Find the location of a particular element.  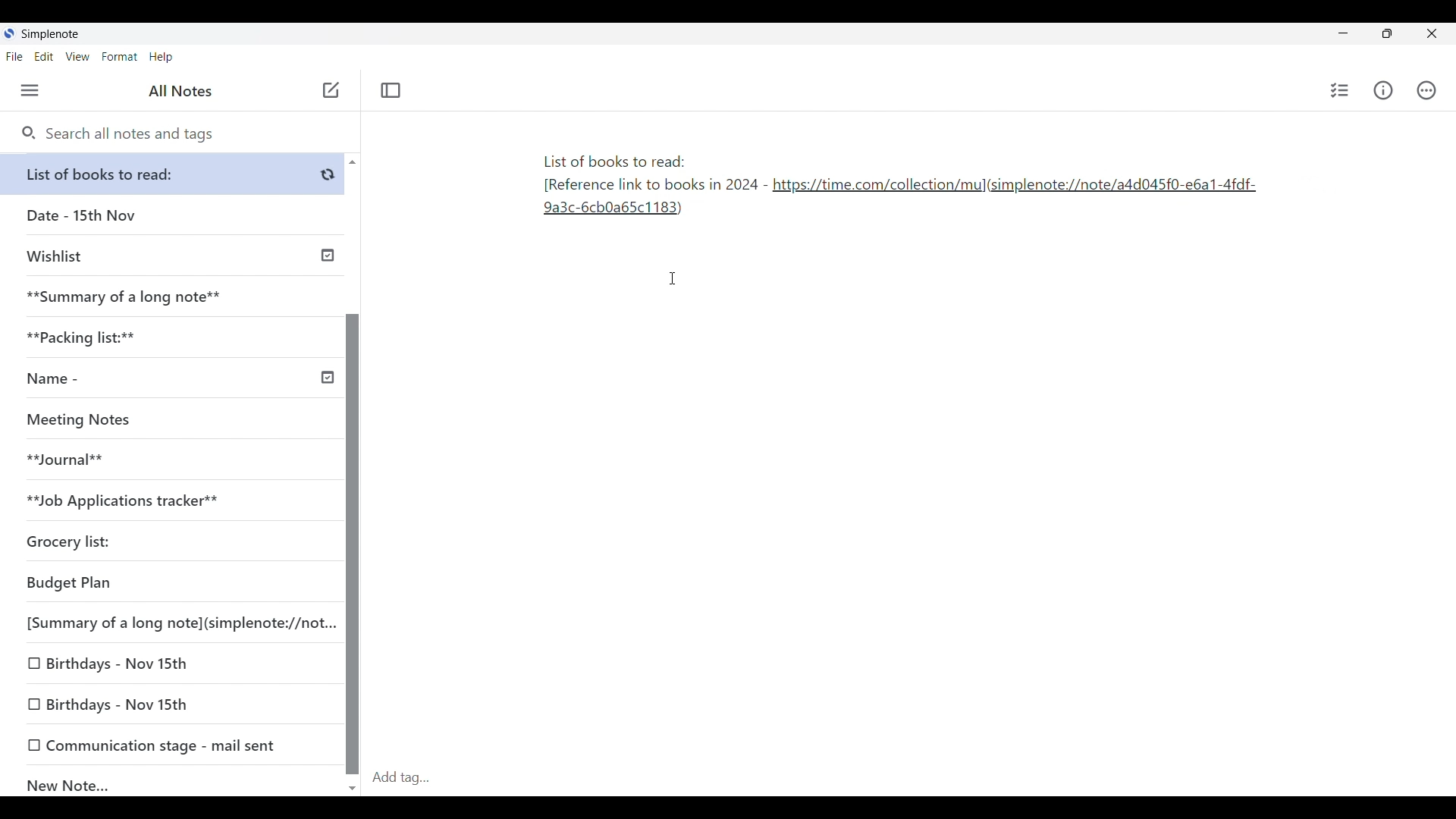

Minimize is located at coordinates (1340, 32).